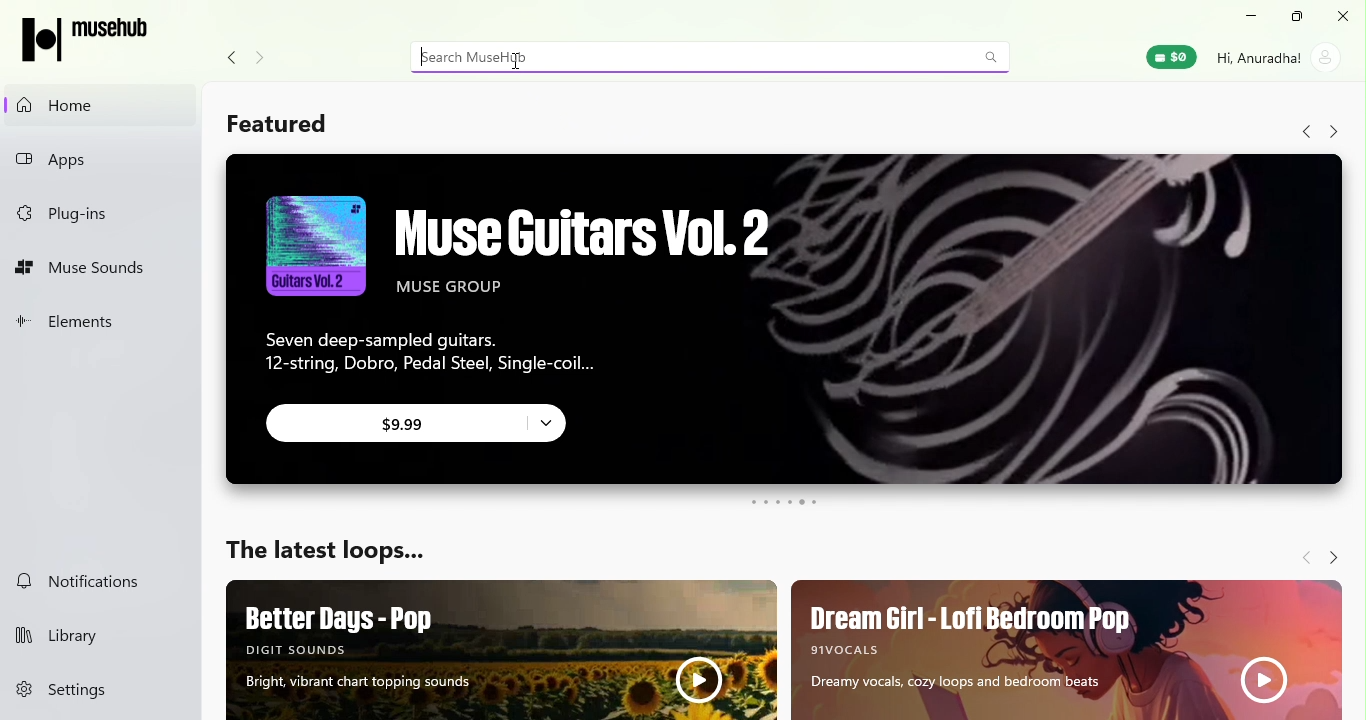  Describe the element at coordinates (102, 690) in the screenshot. I see `Settings` at that location.